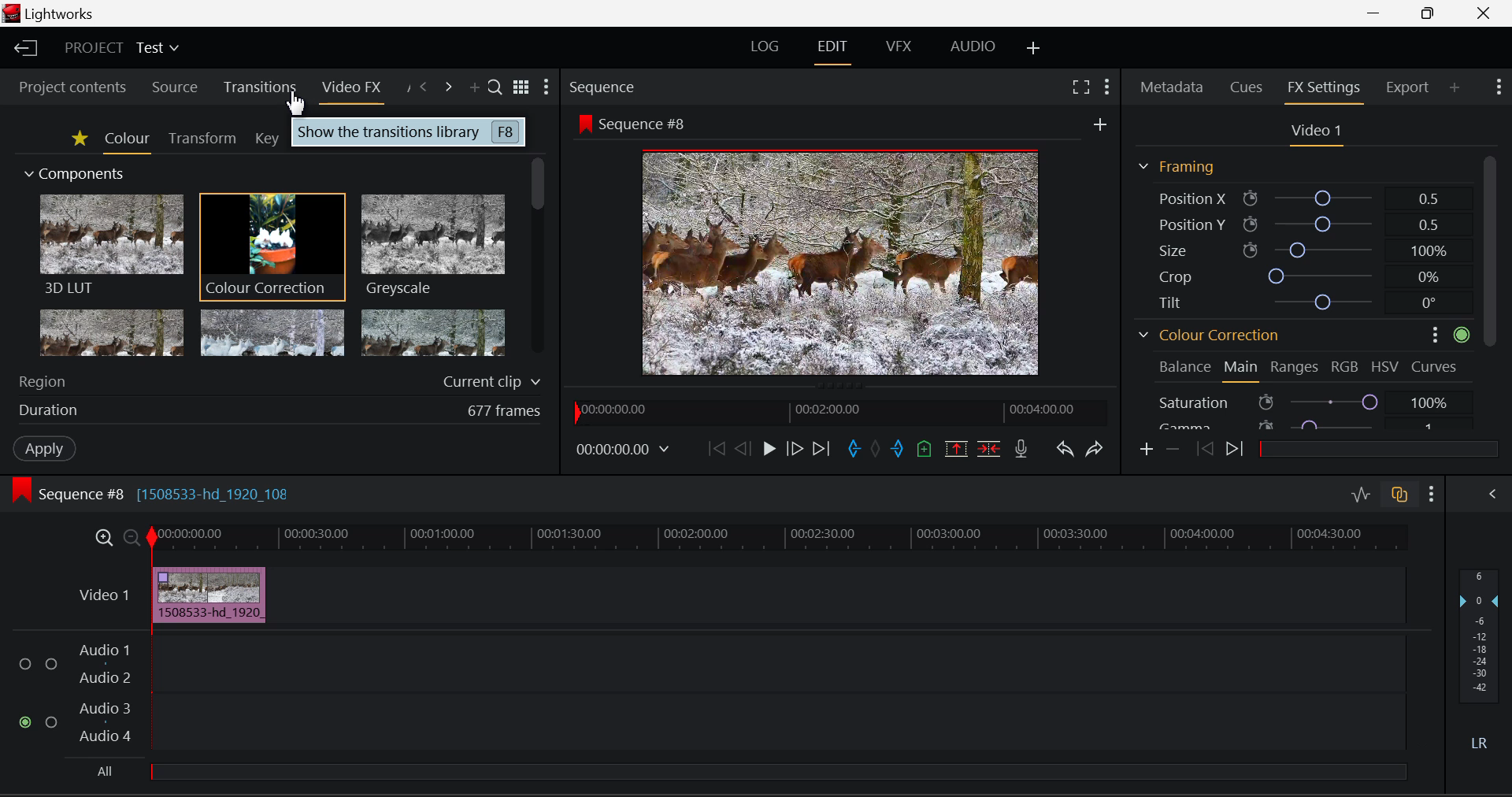 The width and height of the screenshot is (1512, 797). What do you see at coordinates (1096, 450) in the screenshot?
I see `Redo` at bounding box center [1096, 450].